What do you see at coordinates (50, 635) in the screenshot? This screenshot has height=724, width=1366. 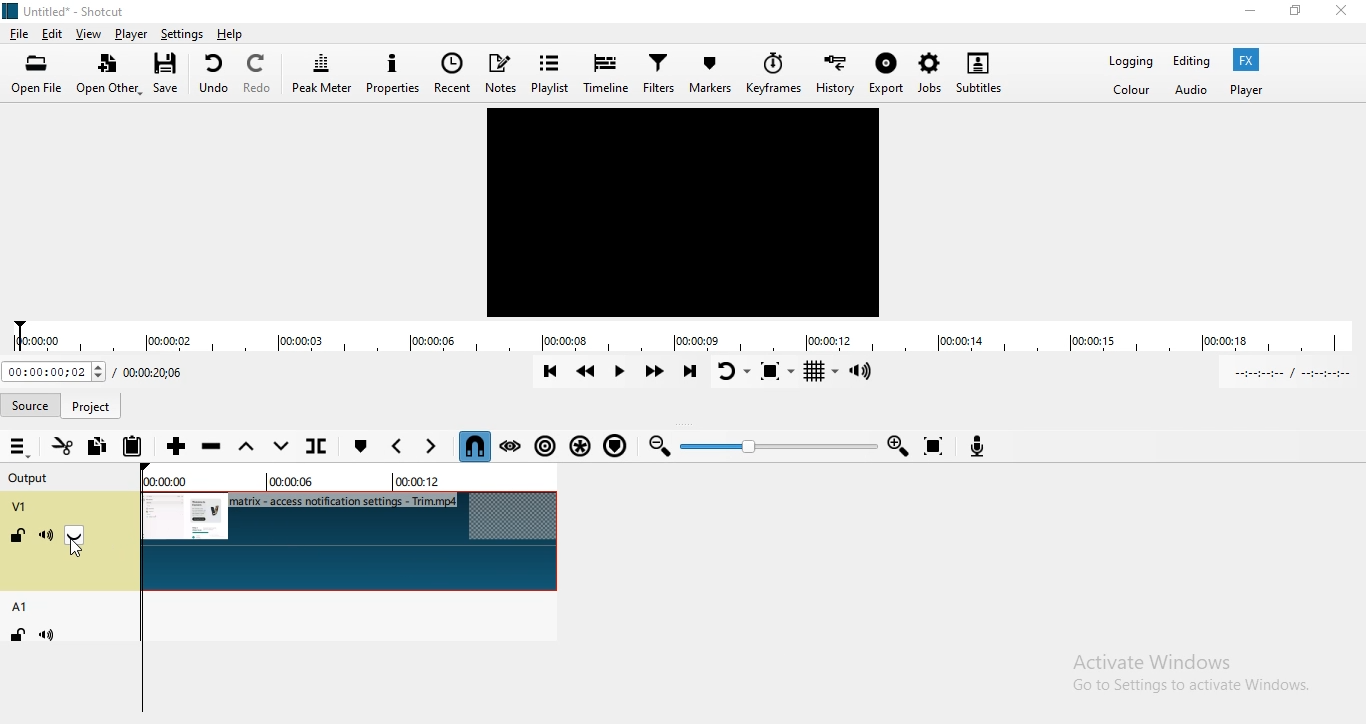 I see `mute` at bounding box center [50, 635].